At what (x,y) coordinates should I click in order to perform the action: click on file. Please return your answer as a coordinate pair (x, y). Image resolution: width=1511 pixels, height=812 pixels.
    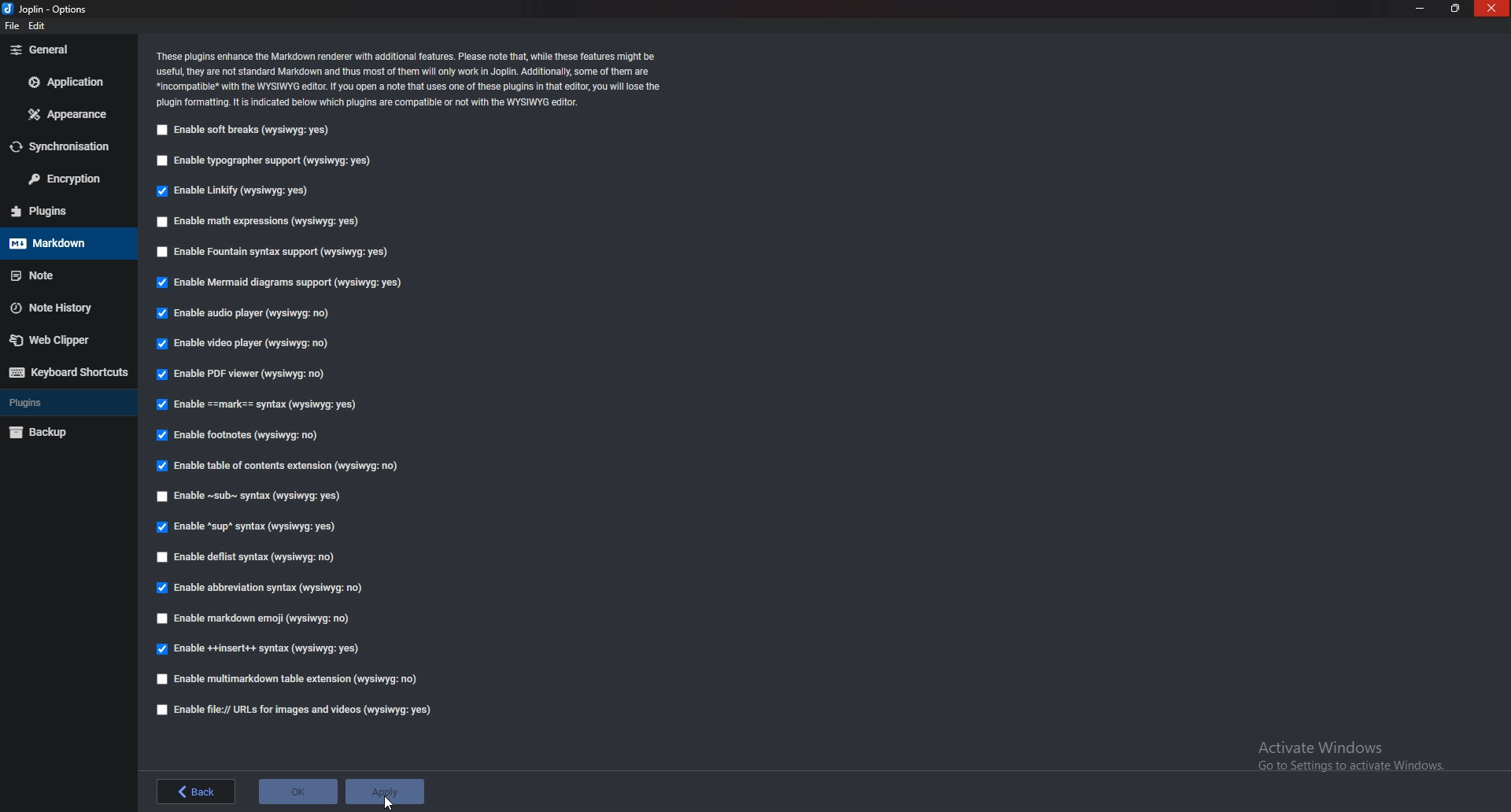
    Looking at the image, I should click on (11, 29).